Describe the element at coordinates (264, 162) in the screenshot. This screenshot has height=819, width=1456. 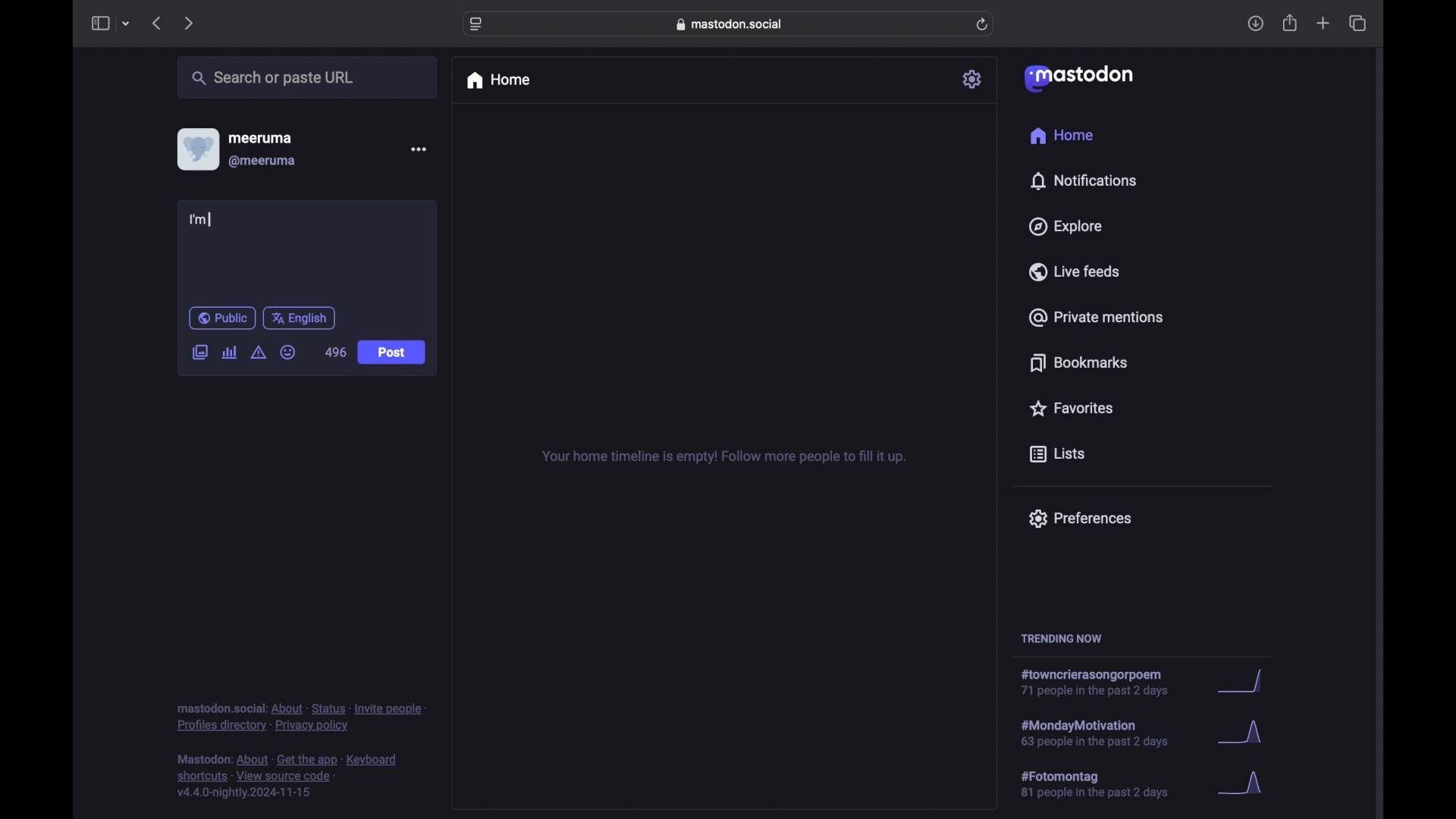
I see `@meeruma` at that location.